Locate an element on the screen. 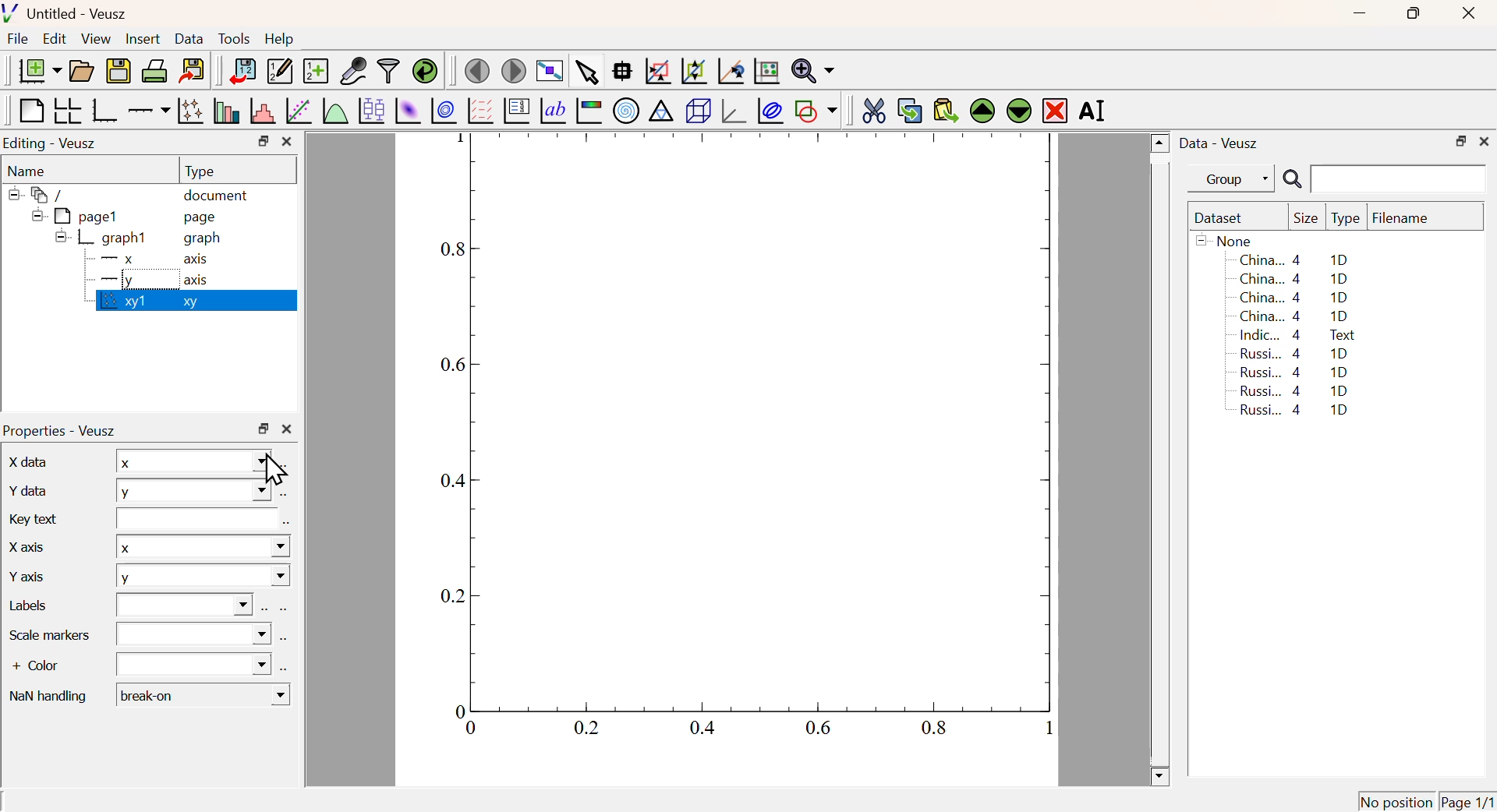  Untitled - Veusz is located at coordinates (69, 15).